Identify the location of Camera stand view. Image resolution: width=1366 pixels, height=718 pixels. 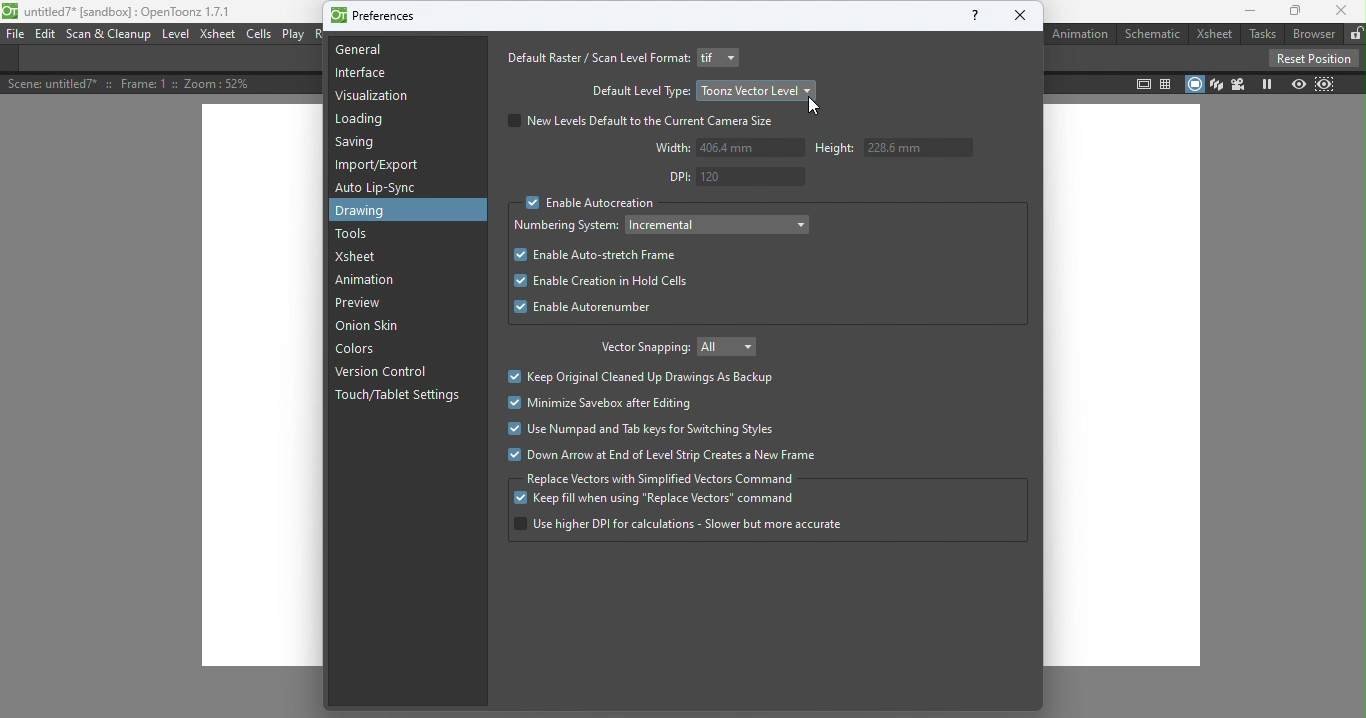
(1195, 84).